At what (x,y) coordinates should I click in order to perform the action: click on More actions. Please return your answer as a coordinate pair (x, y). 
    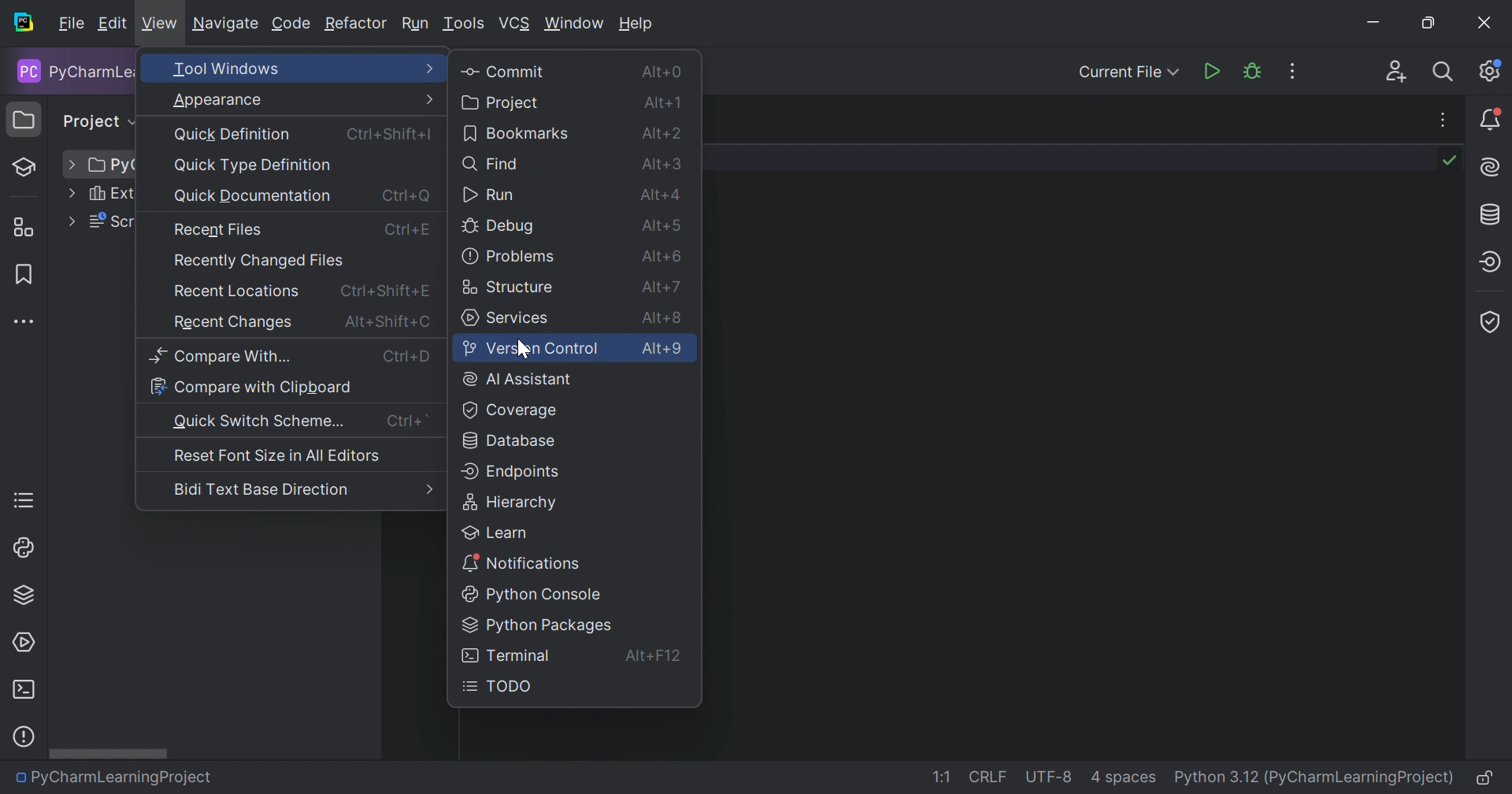
    Looking at the image, I should click on (1294, 70).